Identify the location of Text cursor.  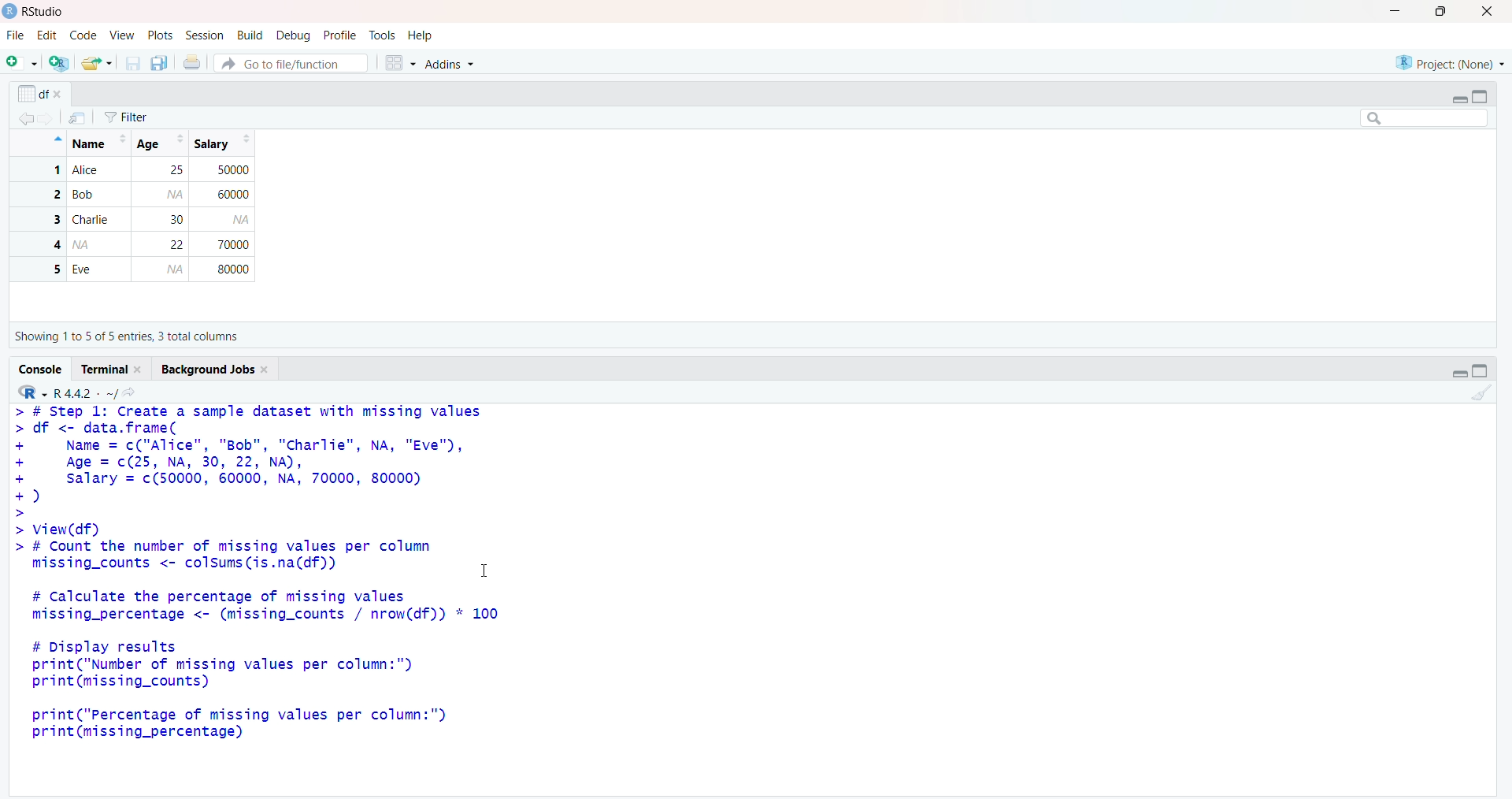
(493, 574).